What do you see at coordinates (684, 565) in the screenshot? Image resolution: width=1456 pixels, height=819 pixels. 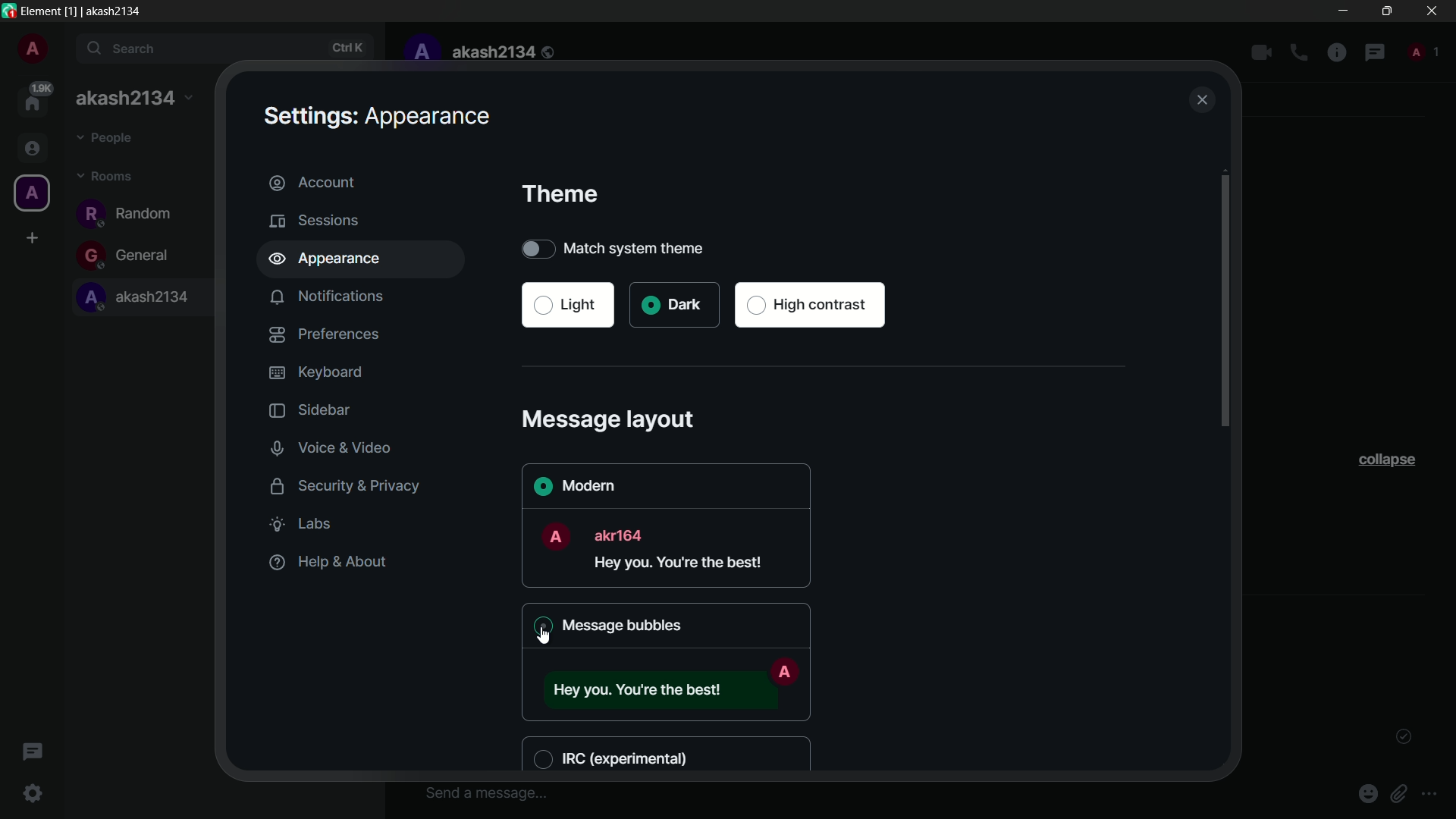 I see `Hey you. You're the best!` at bounding box center [684, 565].